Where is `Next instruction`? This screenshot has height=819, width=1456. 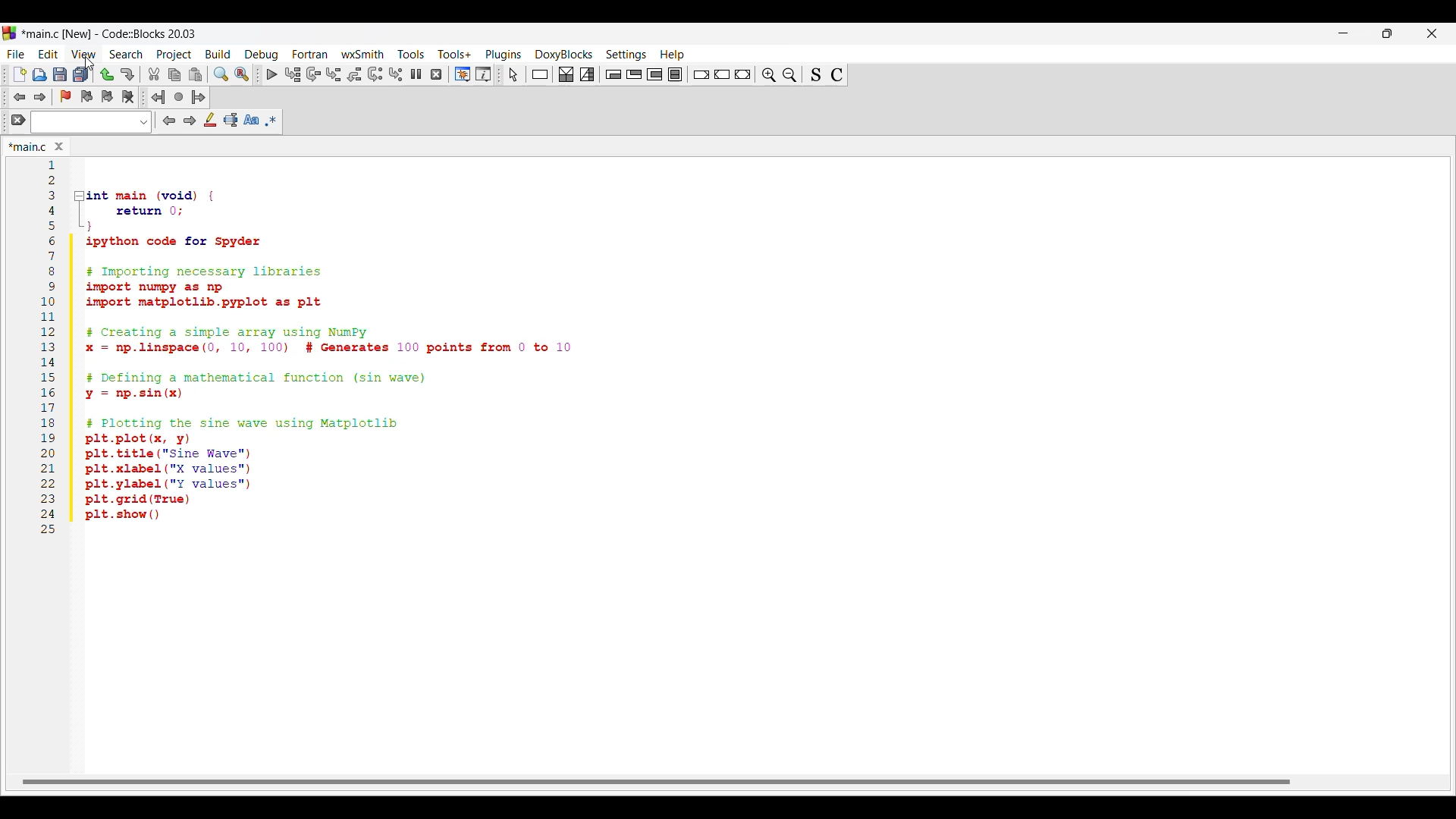 Next instruction is located at coordinates (375, 74).